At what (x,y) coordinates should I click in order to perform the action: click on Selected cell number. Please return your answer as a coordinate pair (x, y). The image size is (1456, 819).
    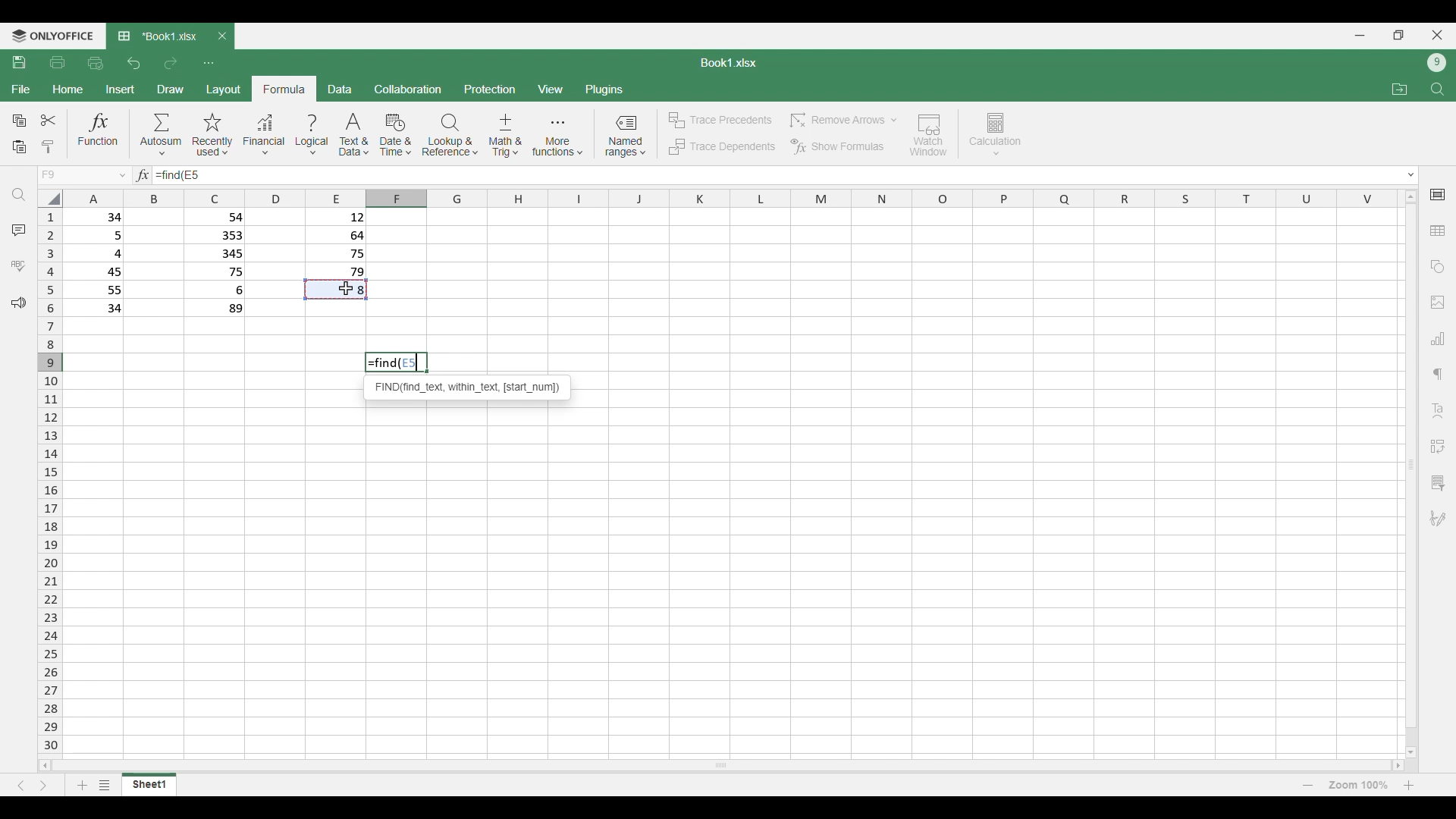
    Looking at the image, I should click on (412, 363).